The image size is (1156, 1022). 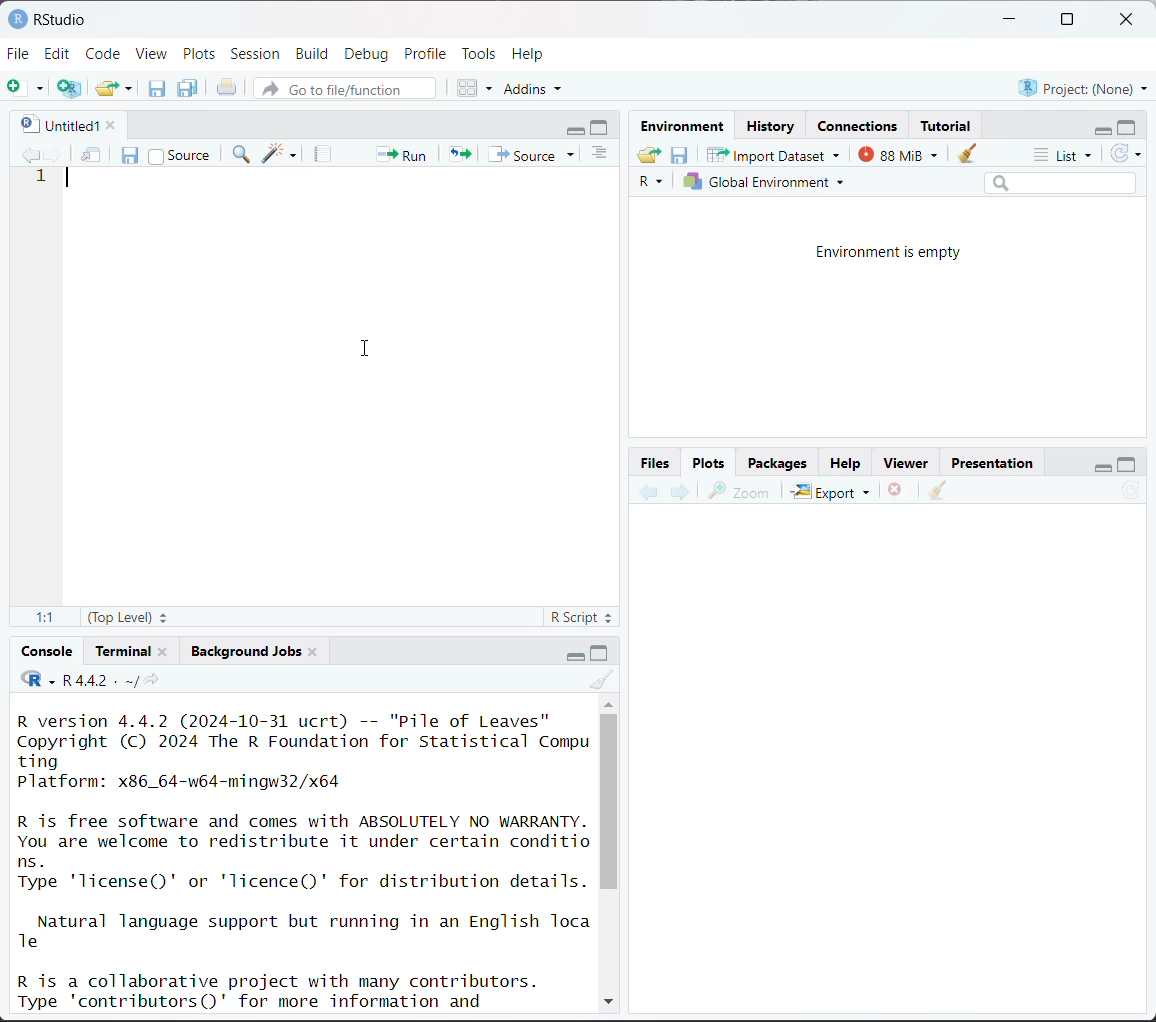 What do you see at coordinates (152, 55) in the screenshot?
I see `View` at bounding box center [152, 55].